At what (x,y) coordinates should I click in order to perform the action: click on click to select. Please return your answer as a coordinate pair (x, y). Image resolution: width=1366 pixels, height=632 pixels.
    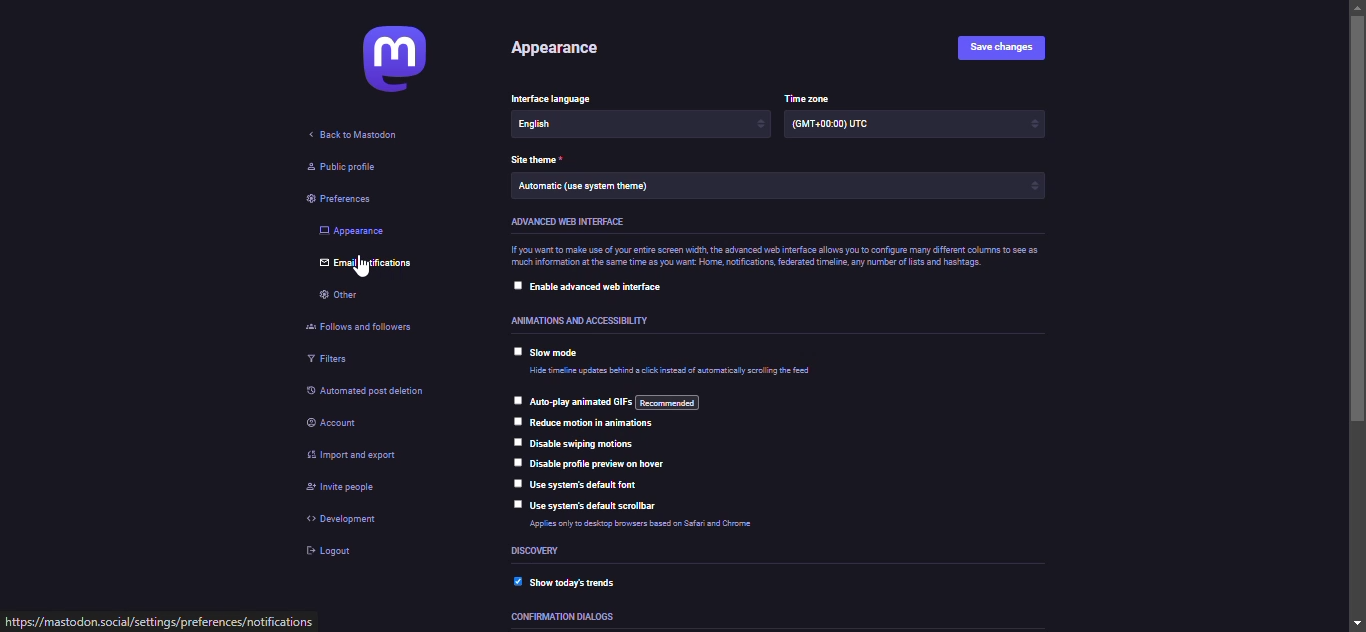
    Looking at the image, I should click on (514, 421).